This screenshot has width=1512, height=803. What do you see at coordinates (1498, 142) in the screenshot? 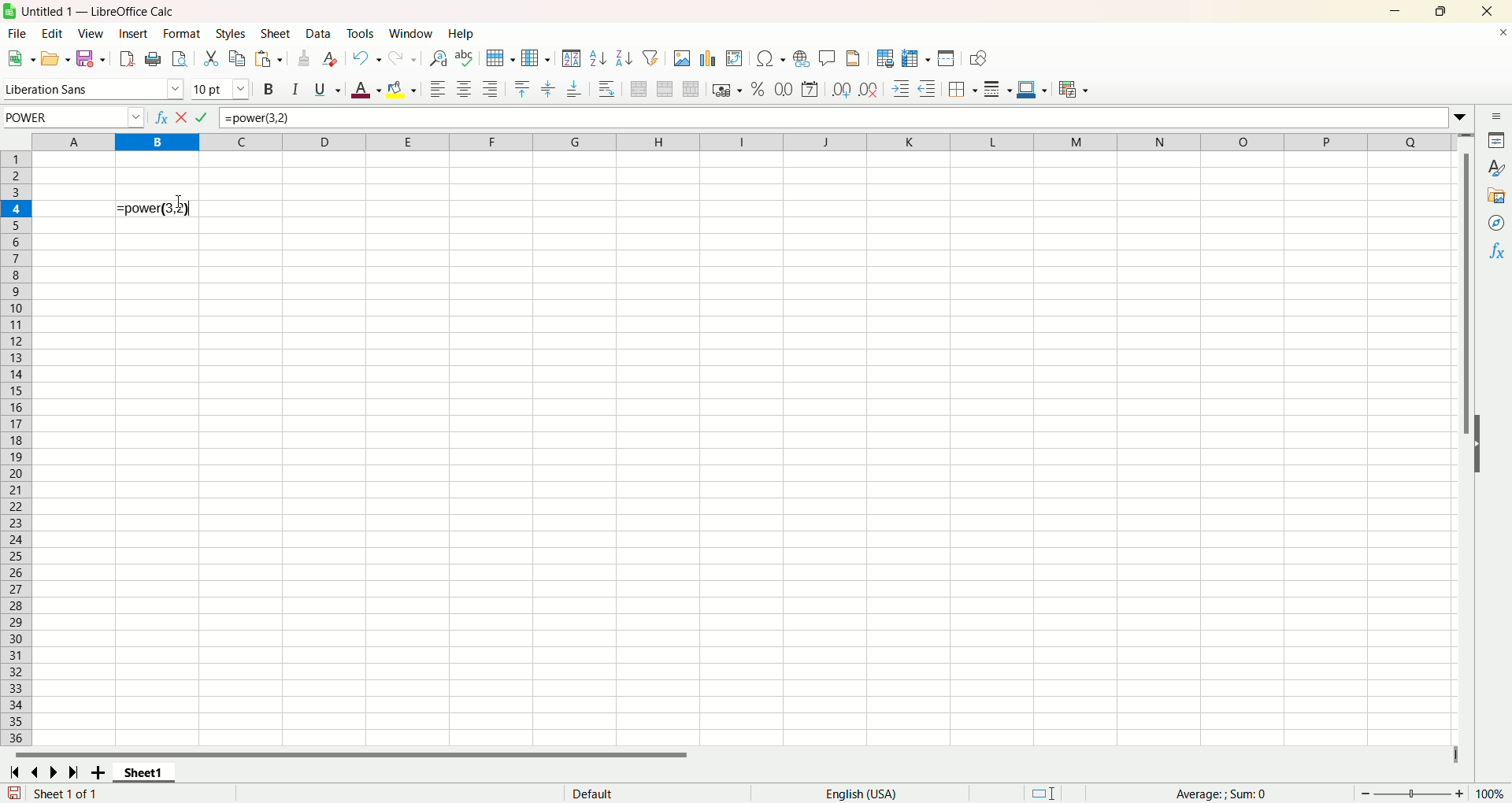
I see `properties` at bounding box center [1498, 142].